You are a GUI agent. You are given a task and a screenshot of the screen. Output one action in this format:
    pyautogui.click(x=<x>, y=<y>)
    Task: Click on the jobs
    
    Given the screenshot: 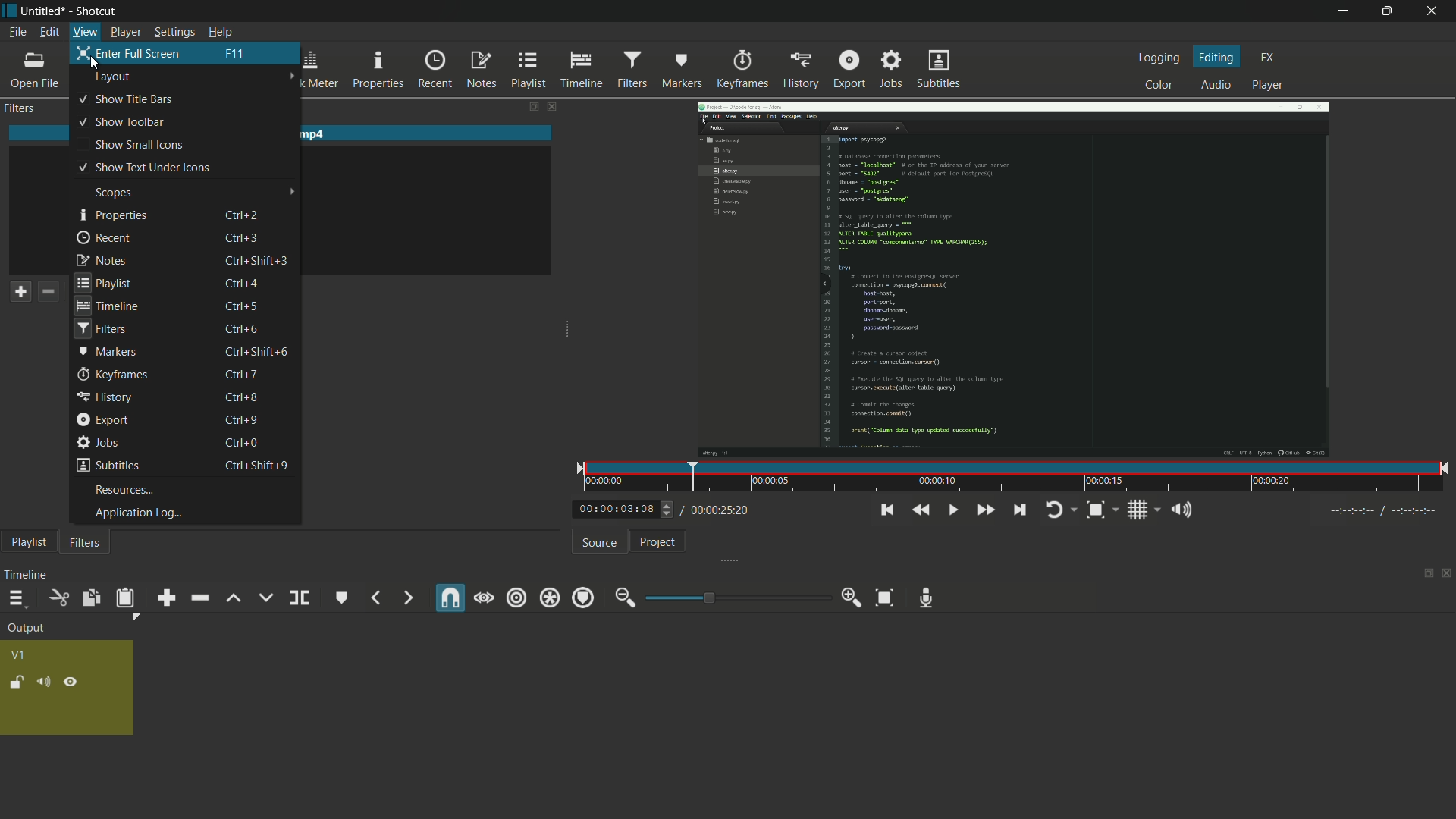 What is the action you would take?
    pyautogui.click(x=891, y=70)
    